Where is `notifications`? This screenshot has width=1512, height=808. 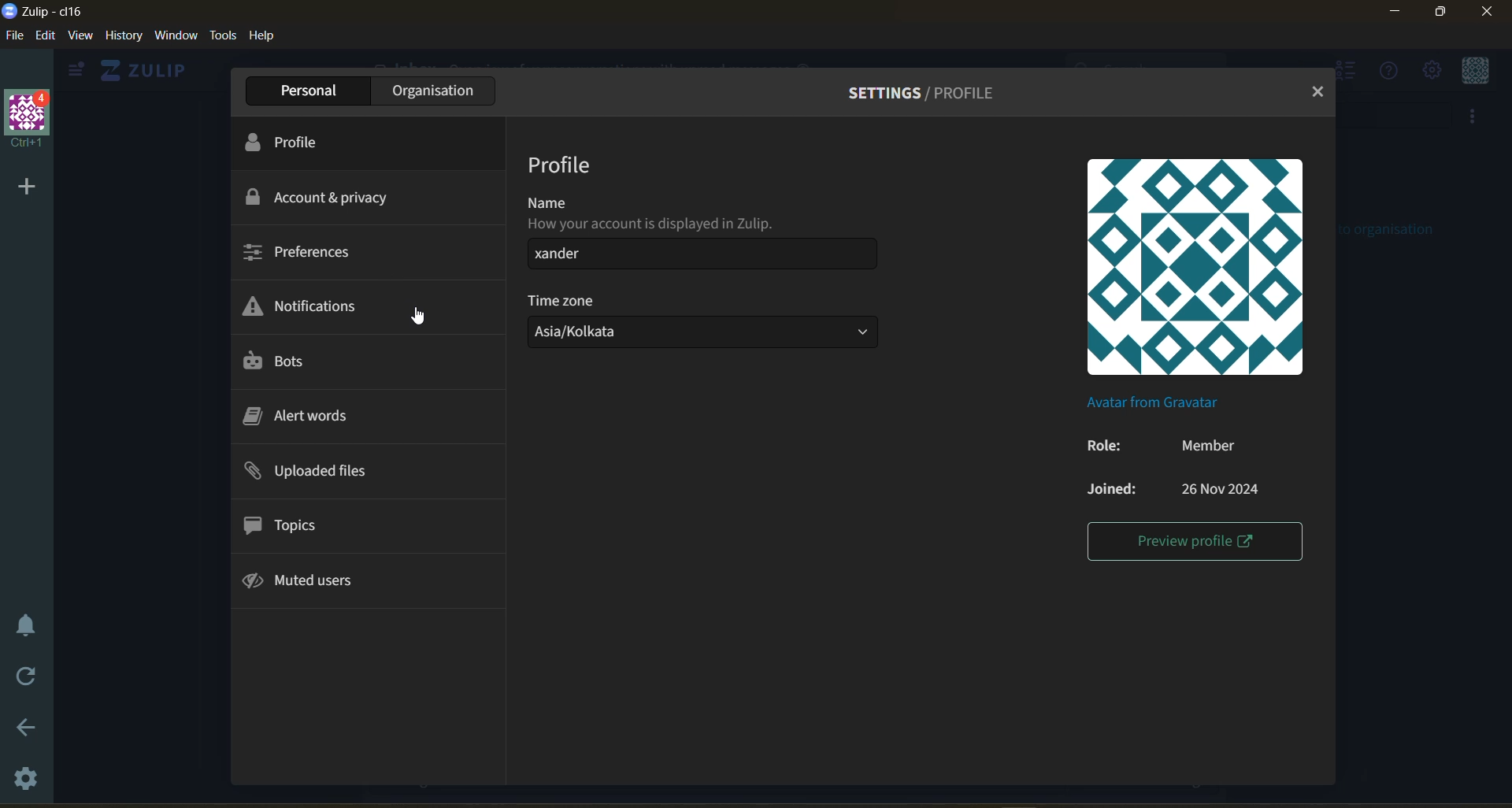
notifications is located at coordinates (309, 304).